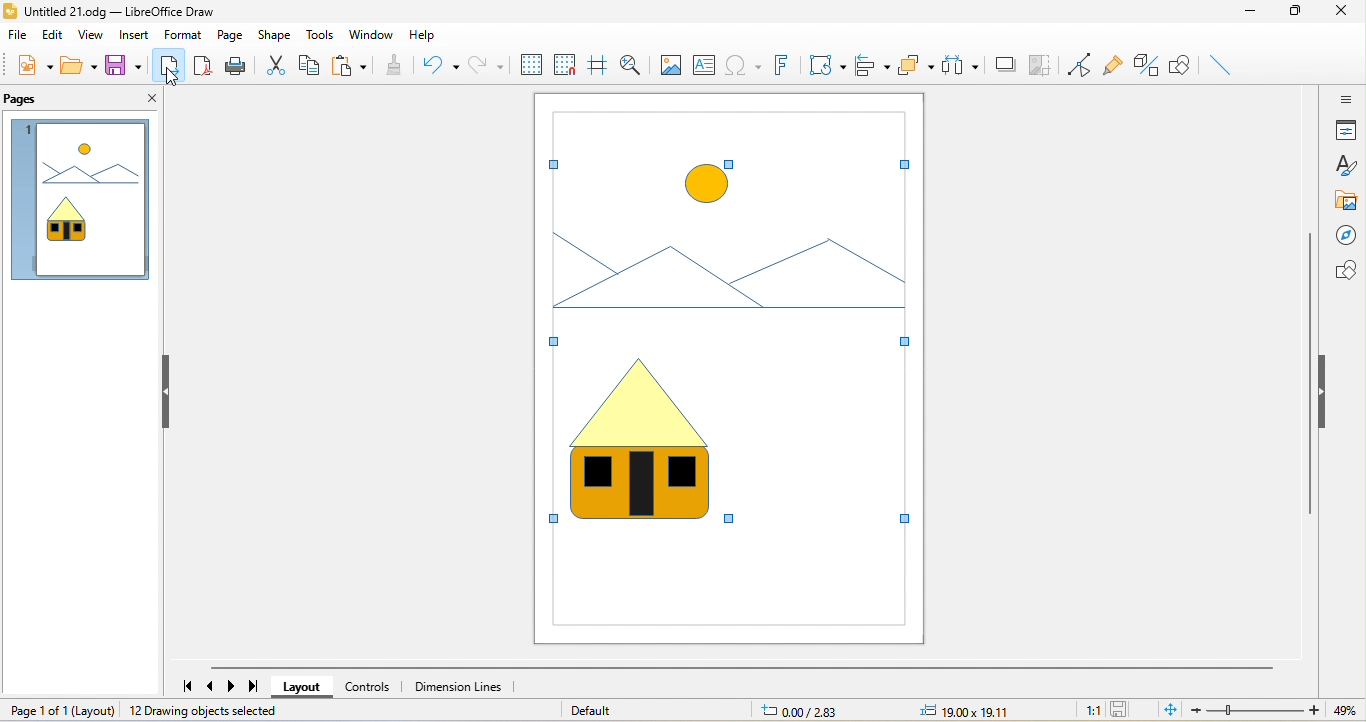 The width and height of the screenshot is (1366, 722). What do you see at coordinates (1344, 237) in the screenshot?
I see `navigator` at bounding box center [1344, 237].